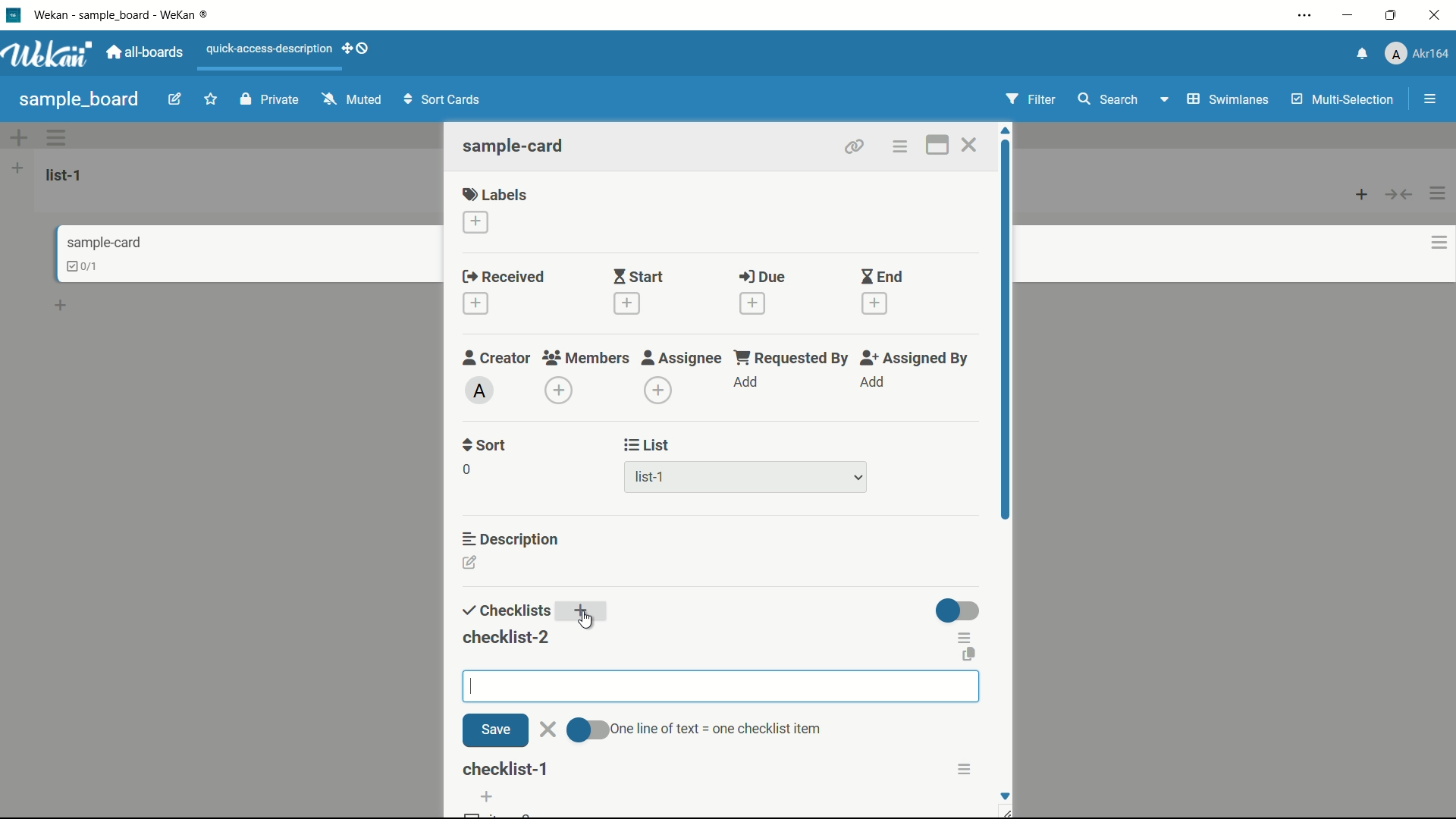  Describe the element at coordinates (1226, 99) in the screenshot. I see `swimlanes` at that location.